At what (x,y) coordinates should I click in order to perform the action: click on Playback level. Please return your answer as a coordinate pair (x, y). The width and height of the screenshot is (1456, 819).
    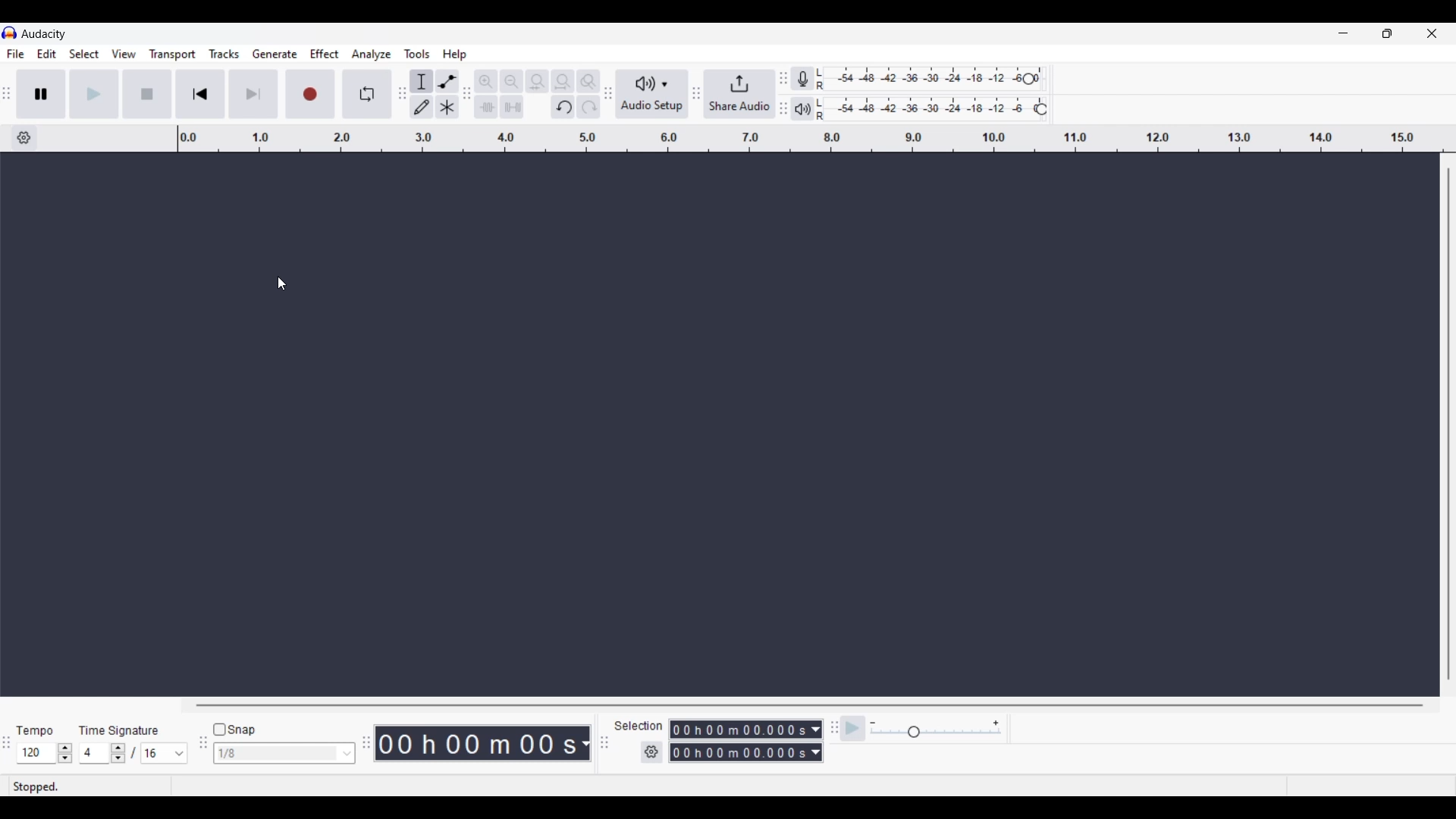
    Looking at the image, I should click on (927, 109).